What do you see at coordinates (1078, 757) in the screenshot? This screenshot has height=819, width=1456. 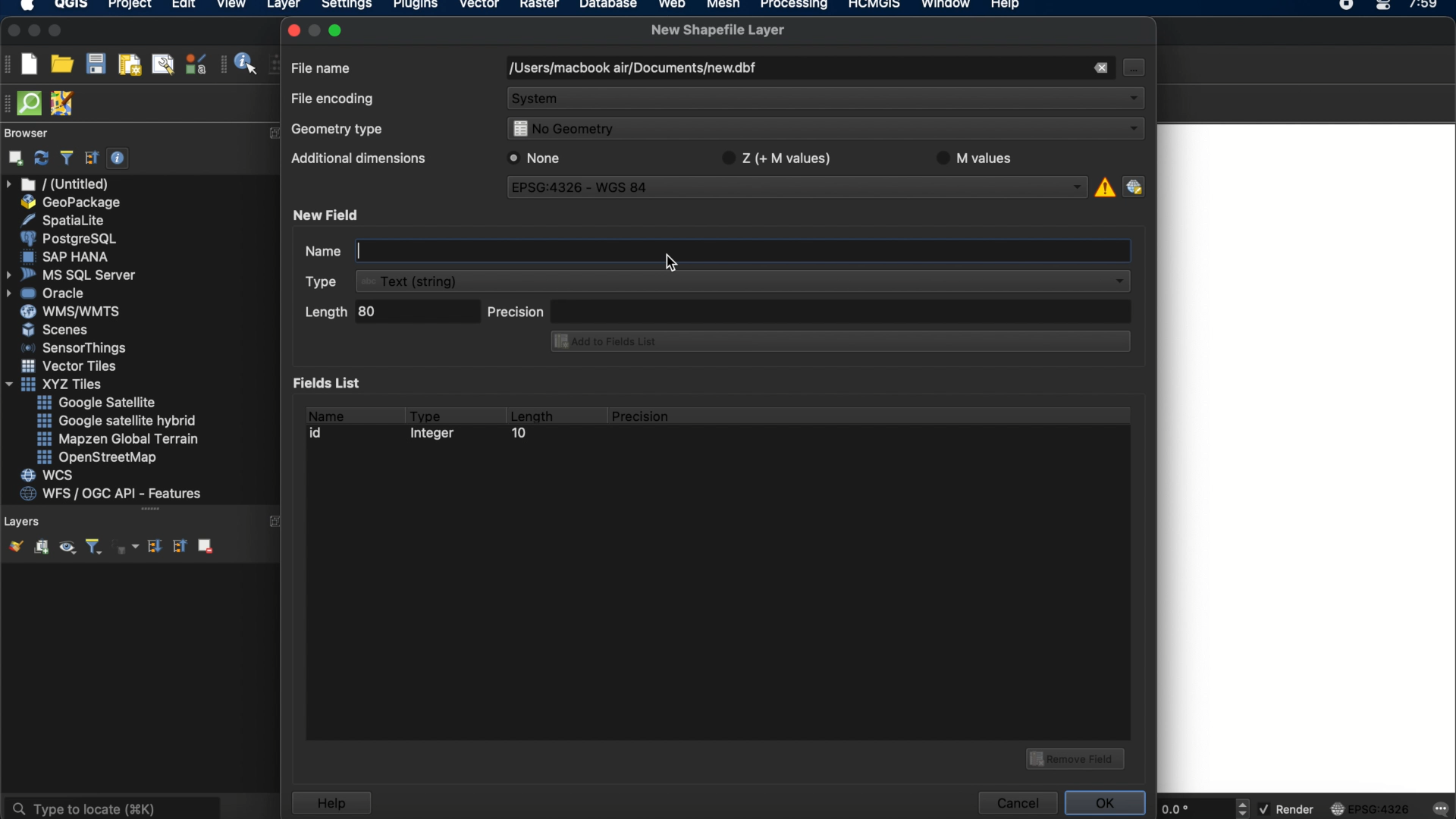 I see `remove field` at bounding box center [1078, 757].